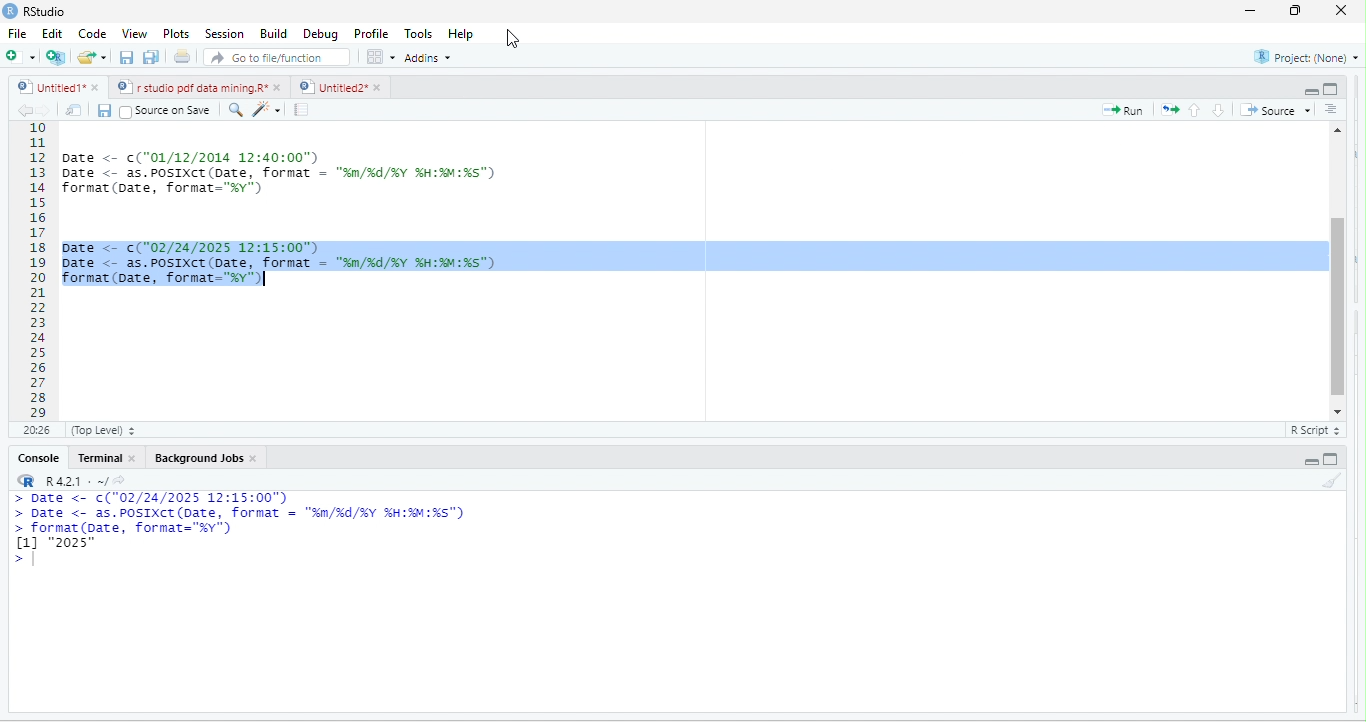  What do you see at coordinates (125, 60) in the screenshot?
I see `save current document` at bounding box center [125, 60].